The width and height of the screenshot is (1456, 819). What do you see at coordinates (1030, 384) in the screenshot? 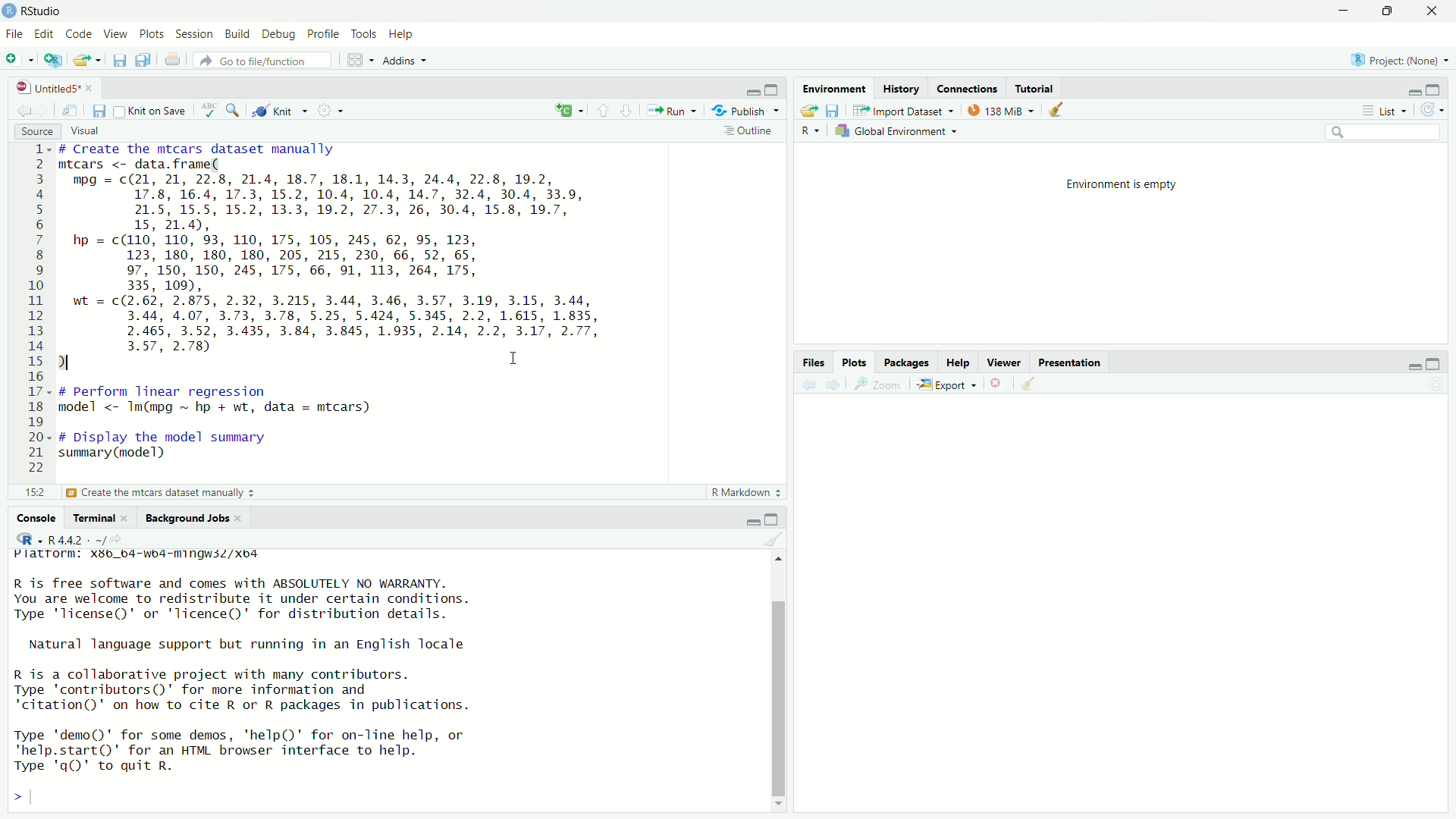
I see `clear all plots` at bounding box center [1030, 384].